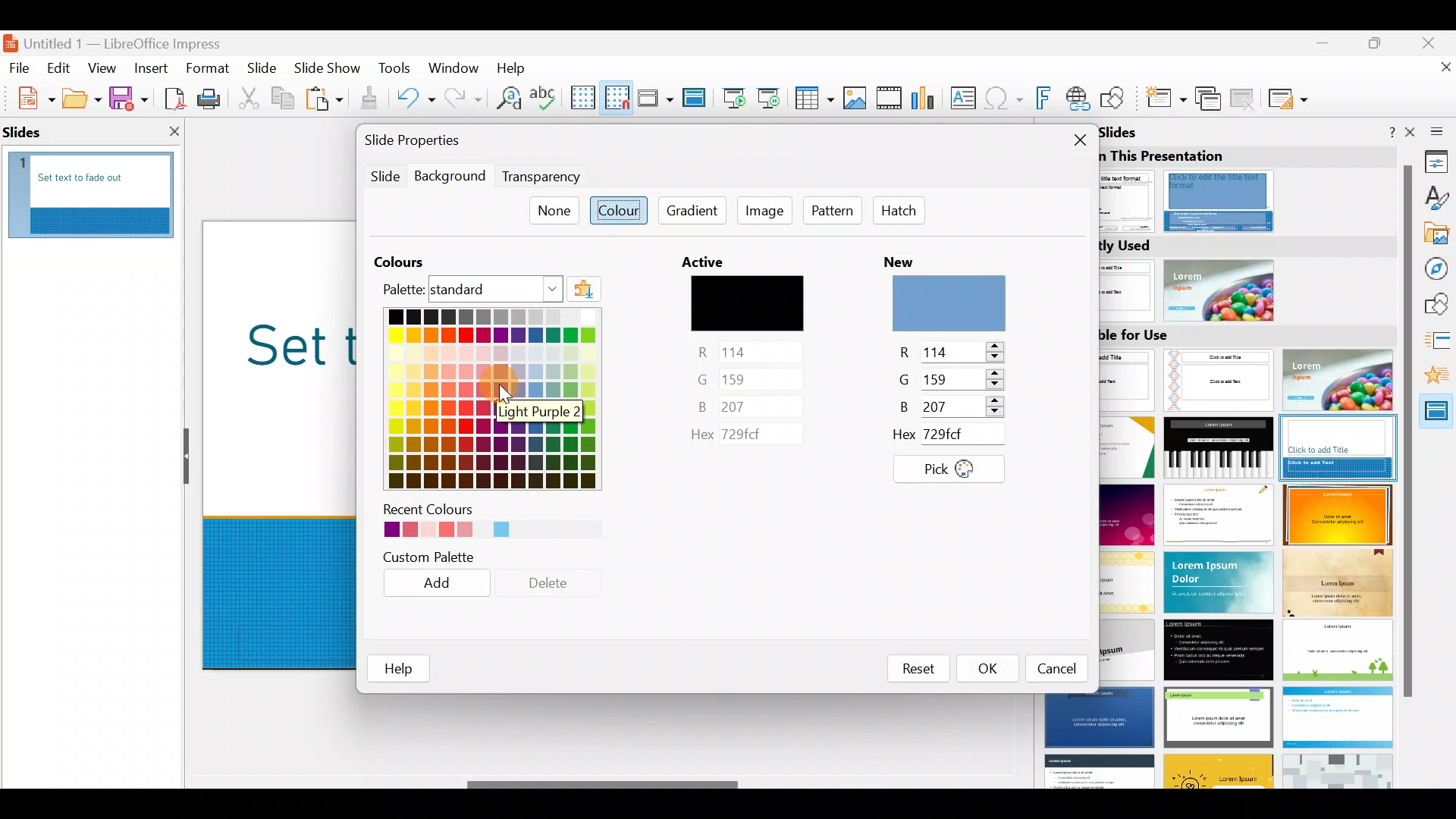 The height and width of the screenshot is (819, 1456). What do you see at coordinates (899, 212) in the screenshot?
I see `Hatch` at bounding box center [899, 212].